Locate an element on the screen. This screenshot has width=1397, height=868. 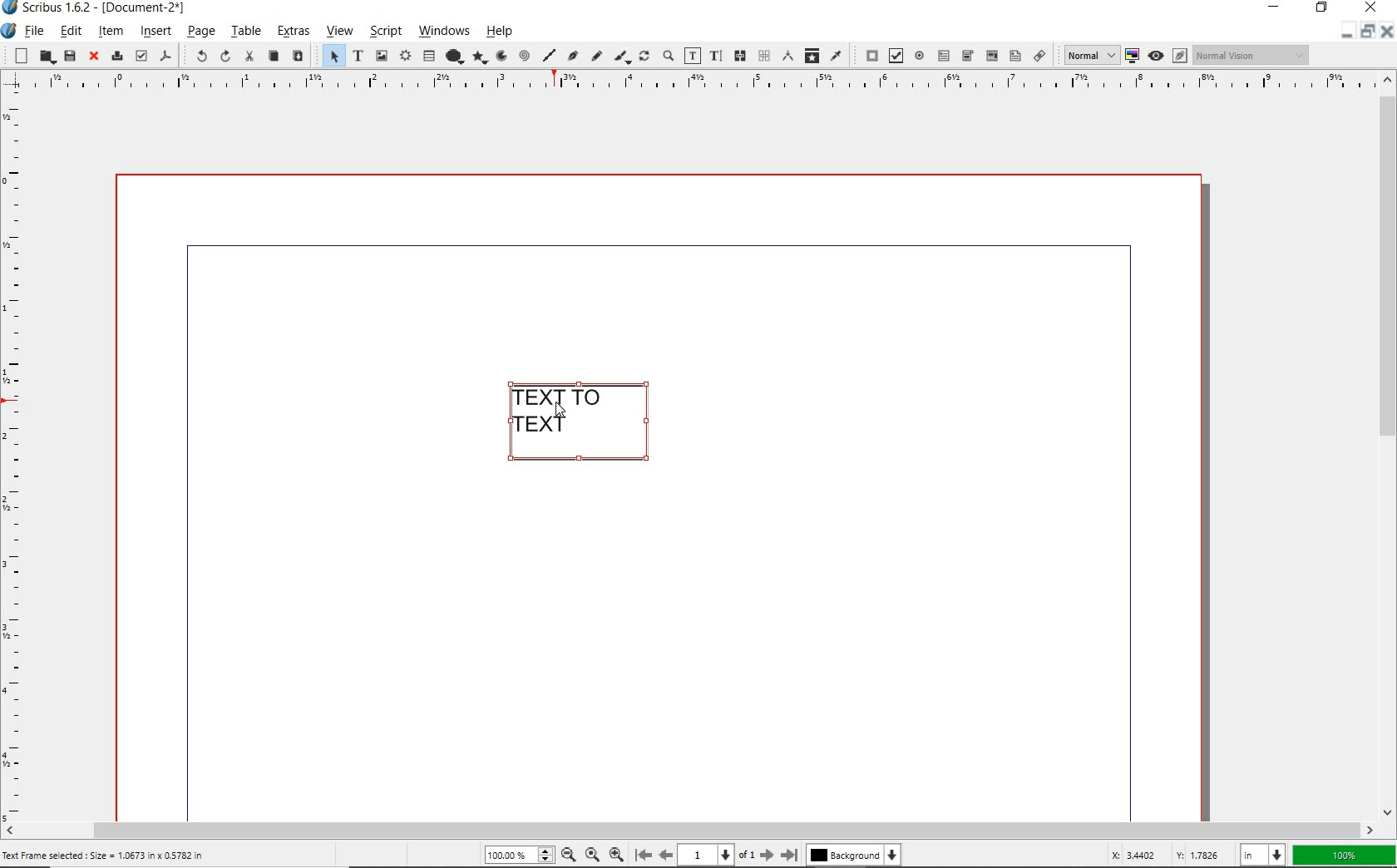
new is located at coordinates (17, 56).